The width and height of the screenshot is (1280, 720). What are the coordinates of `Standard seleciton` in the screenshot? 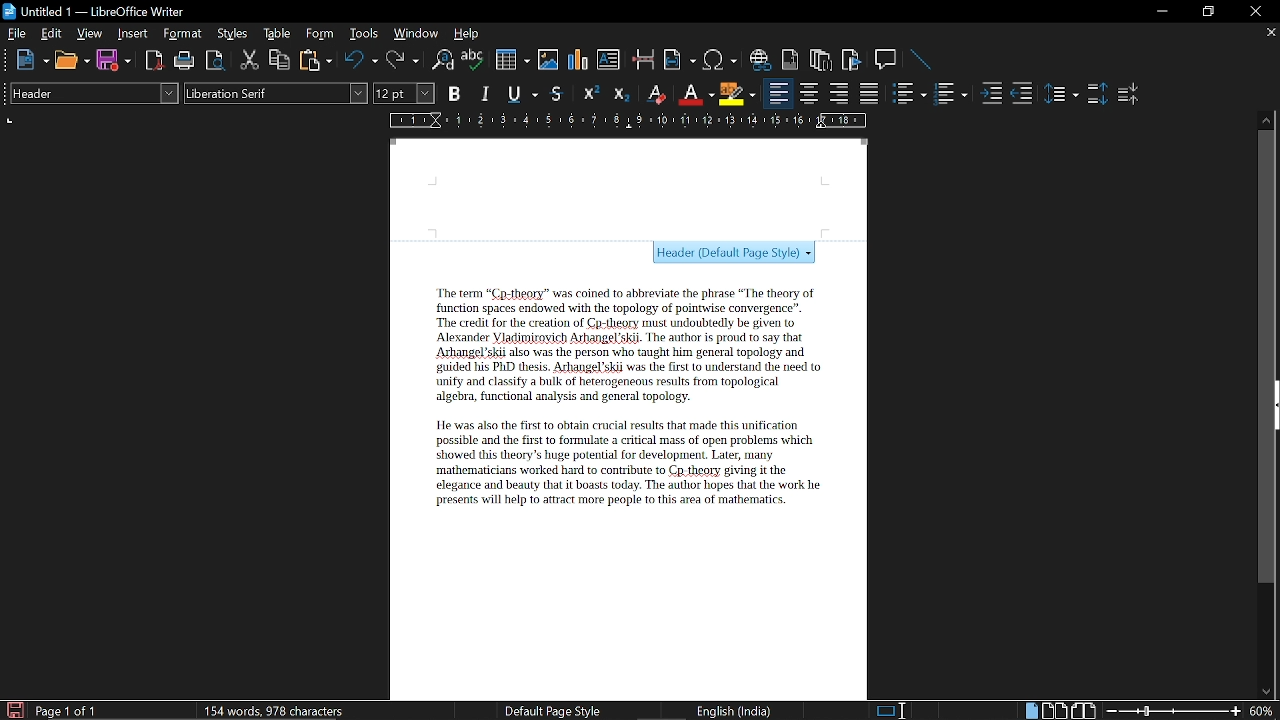 It's located at (895, 711).